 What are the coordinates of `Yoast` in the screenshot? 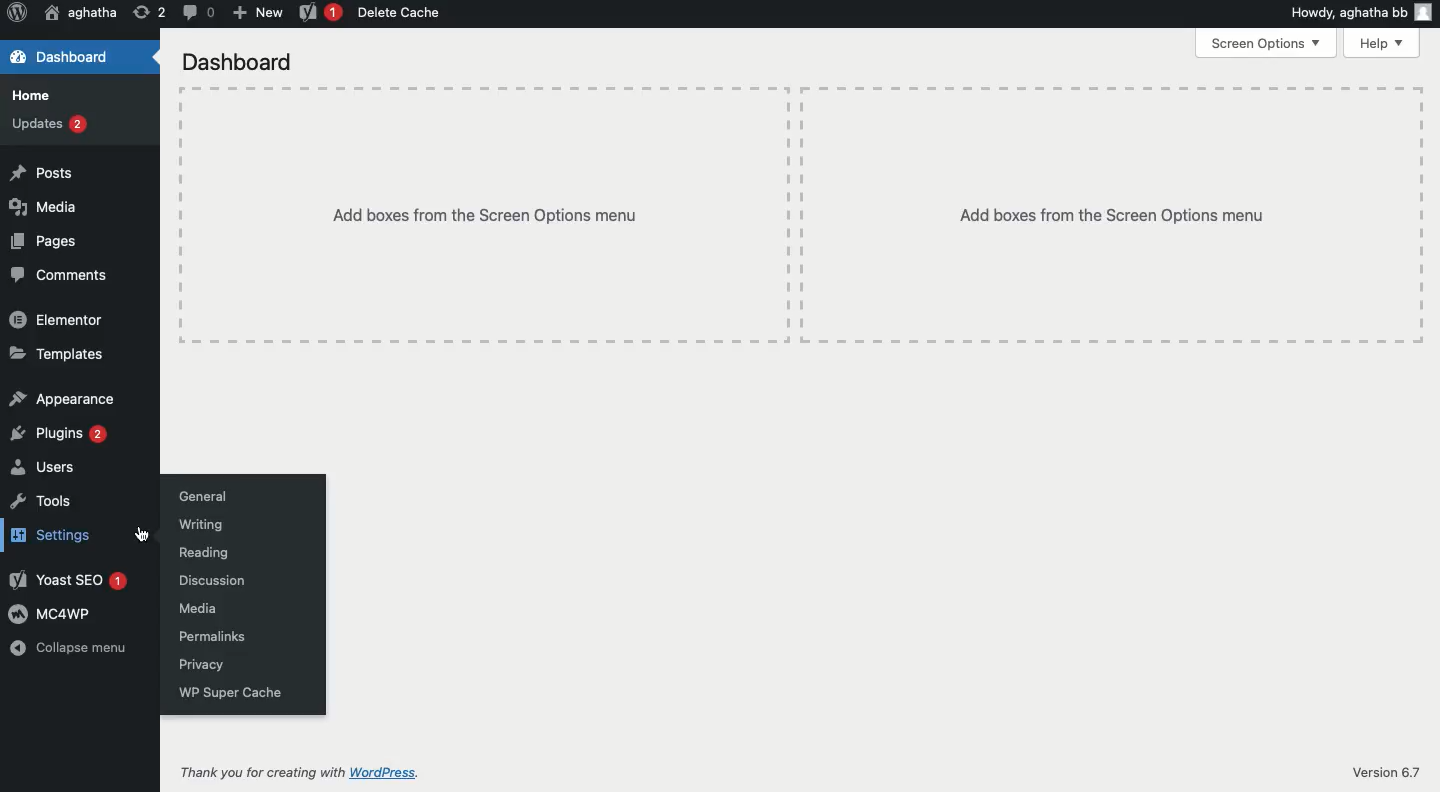 It's located at (321, 11).